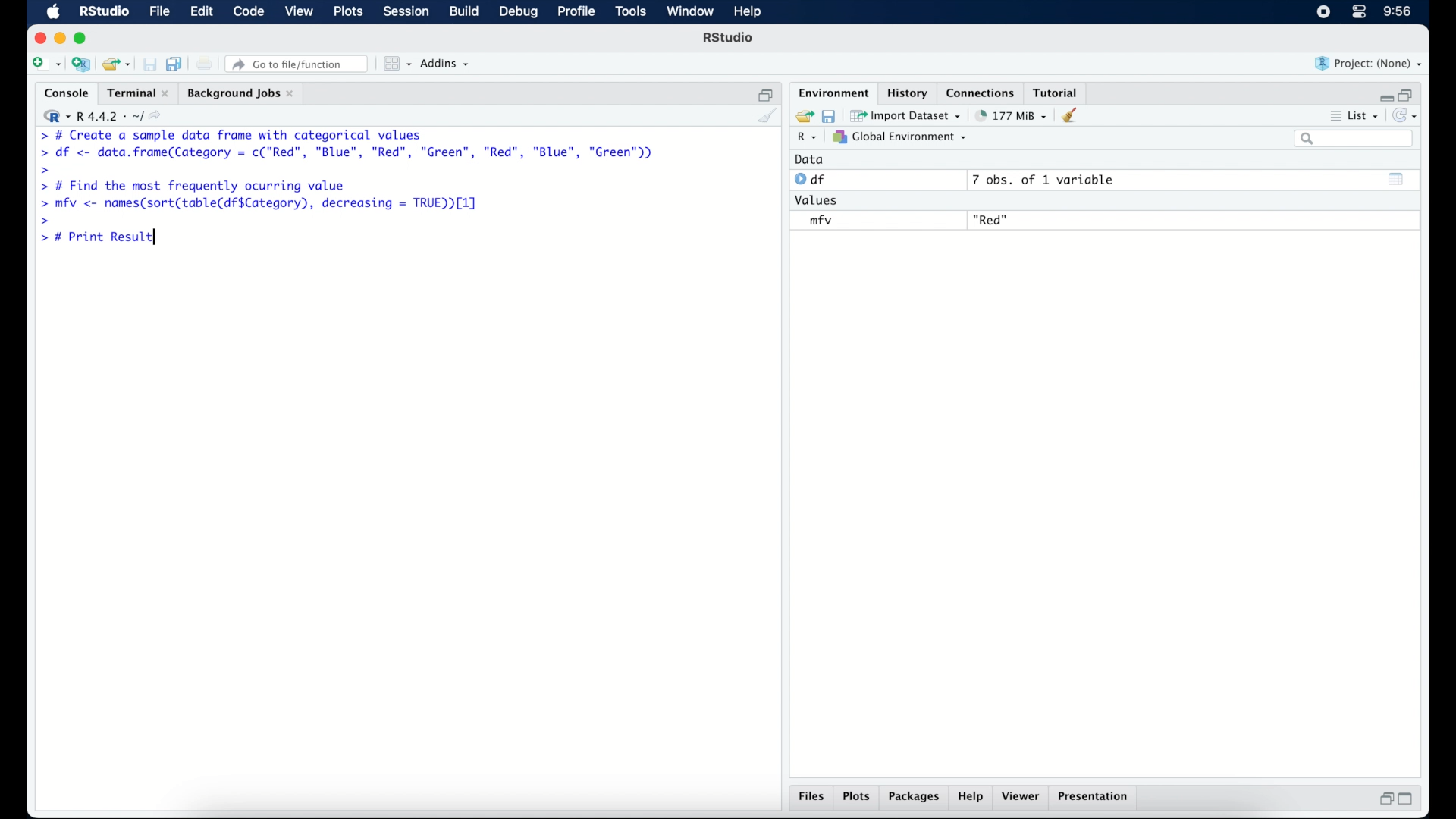 The width and height of the screenshot is (1456, 819). What do you see at coordinates (465, 12) in the screenshot?
I see `build` at bounding box center [465, 12].